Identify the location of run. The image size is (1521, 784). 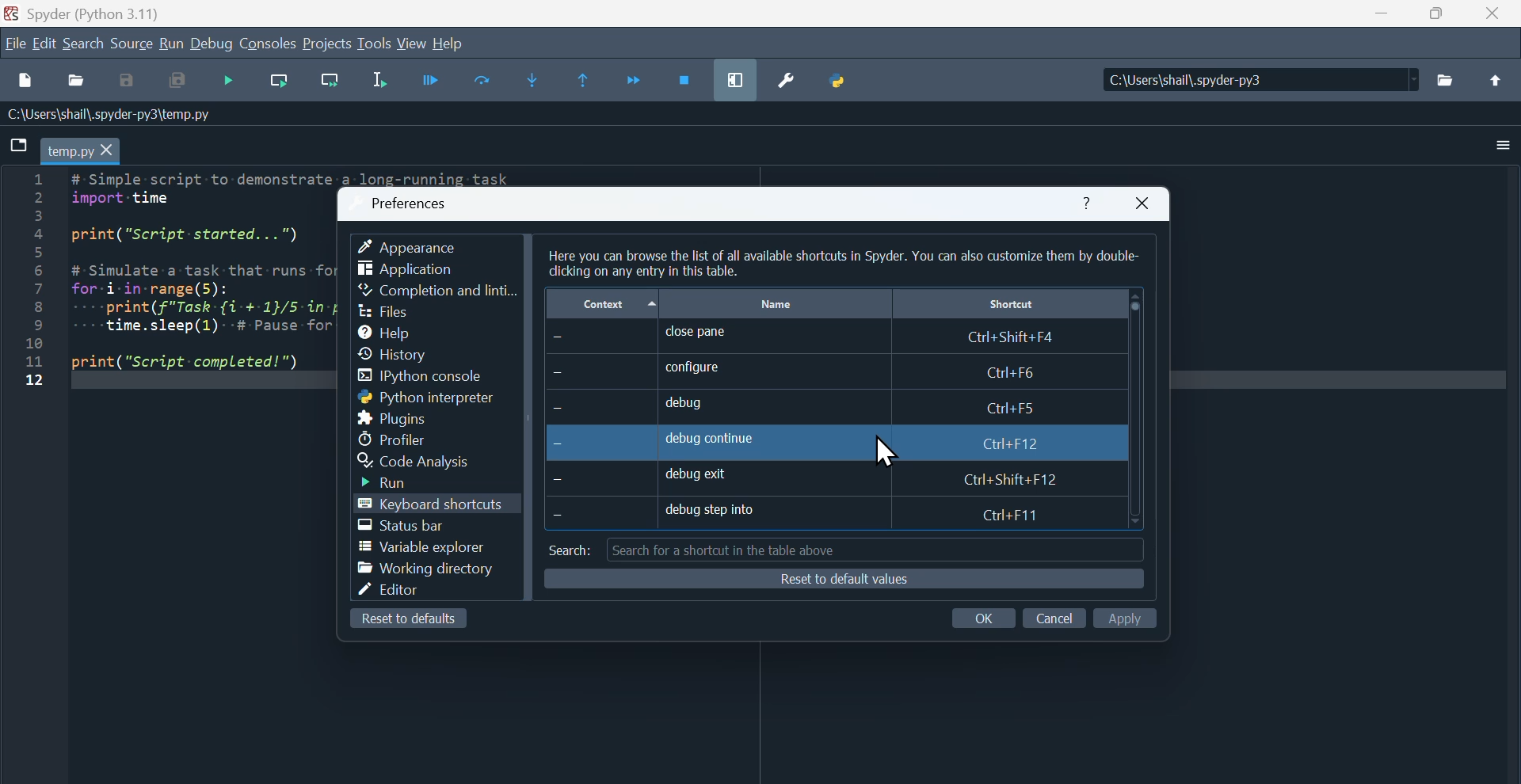
(170, 42).